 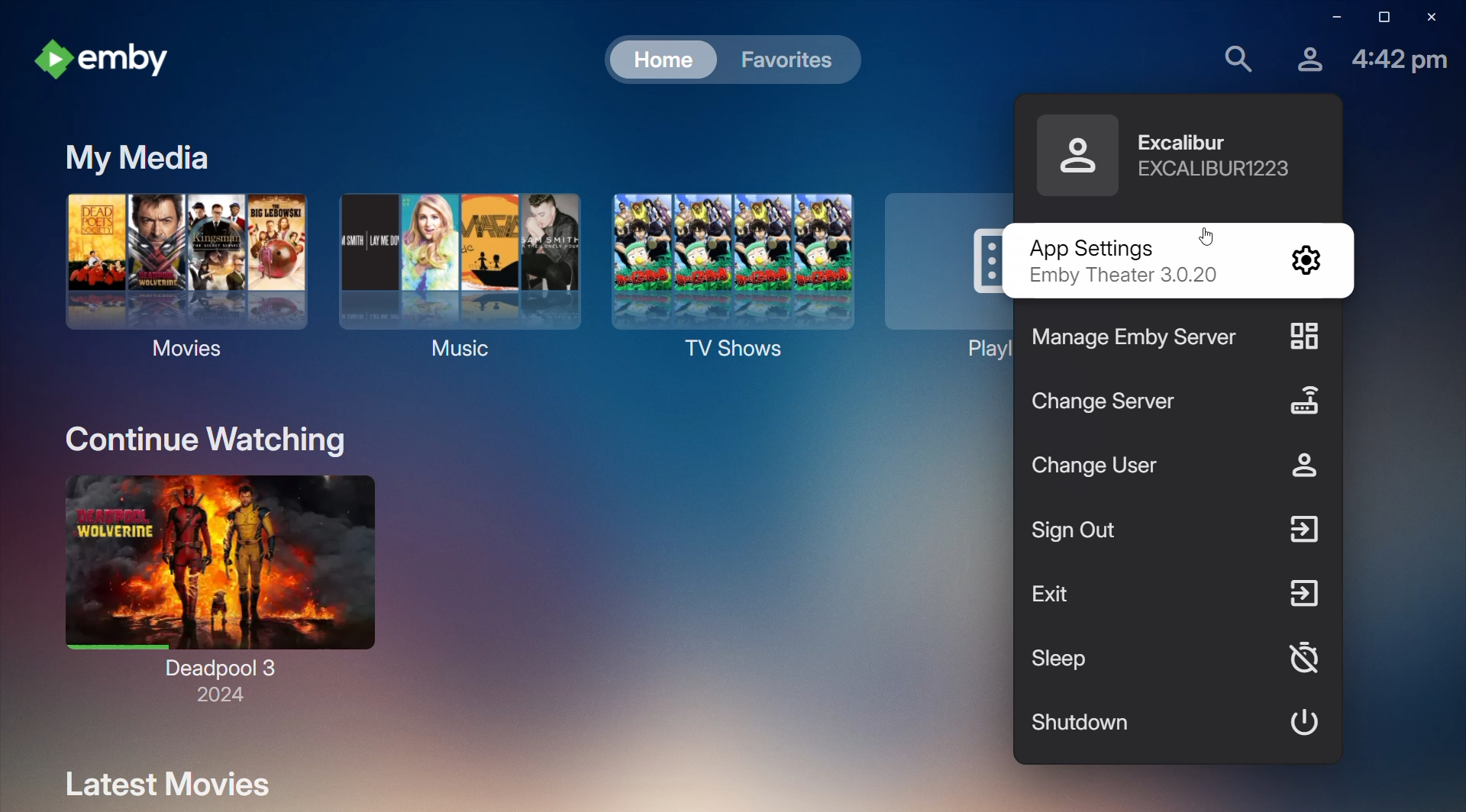 What do you see at coordinates (1434, 18) in the screenshot?
I see `Close` at bounding box center [1434, 18].